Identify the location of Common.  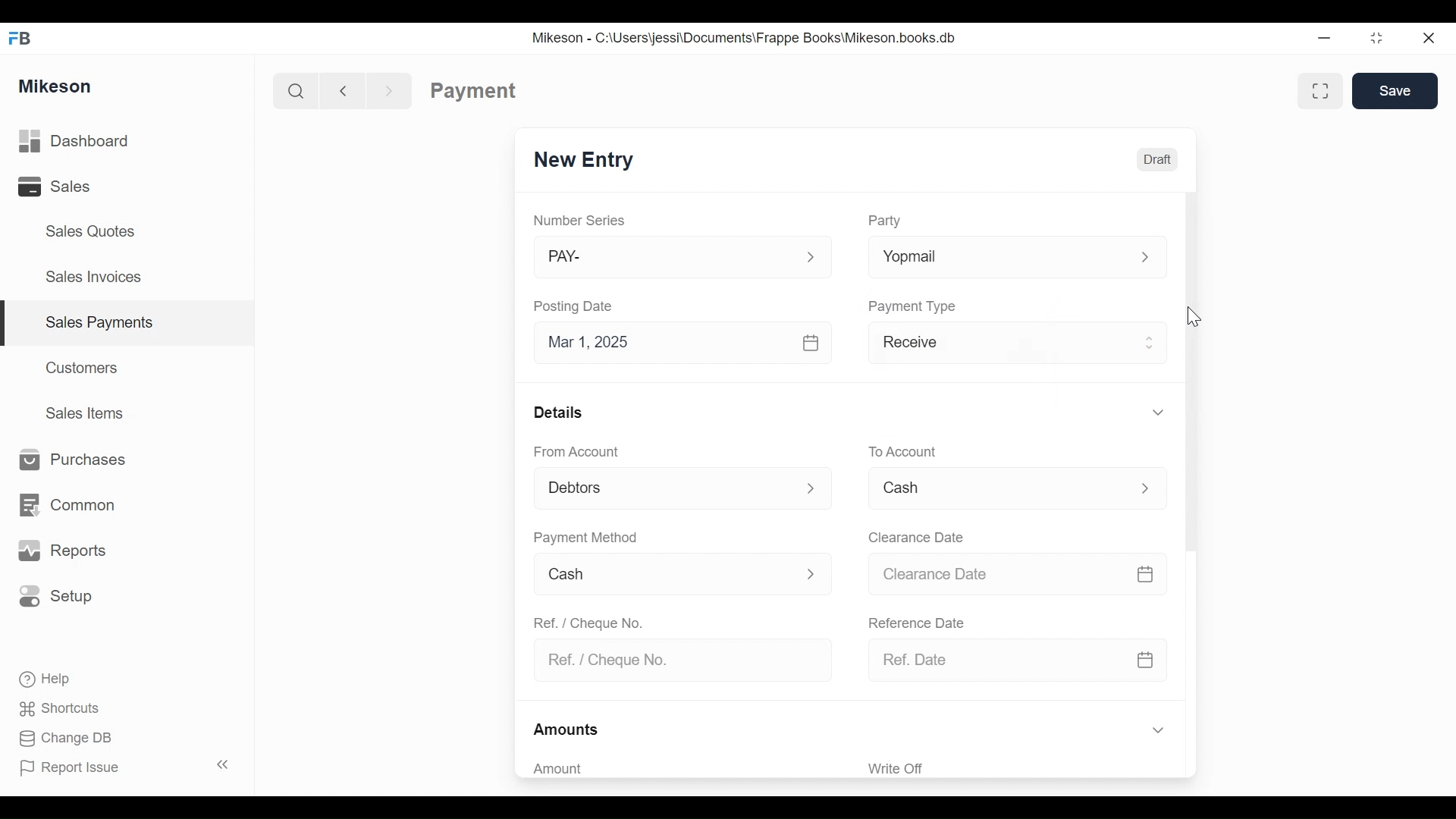
(75, 497).